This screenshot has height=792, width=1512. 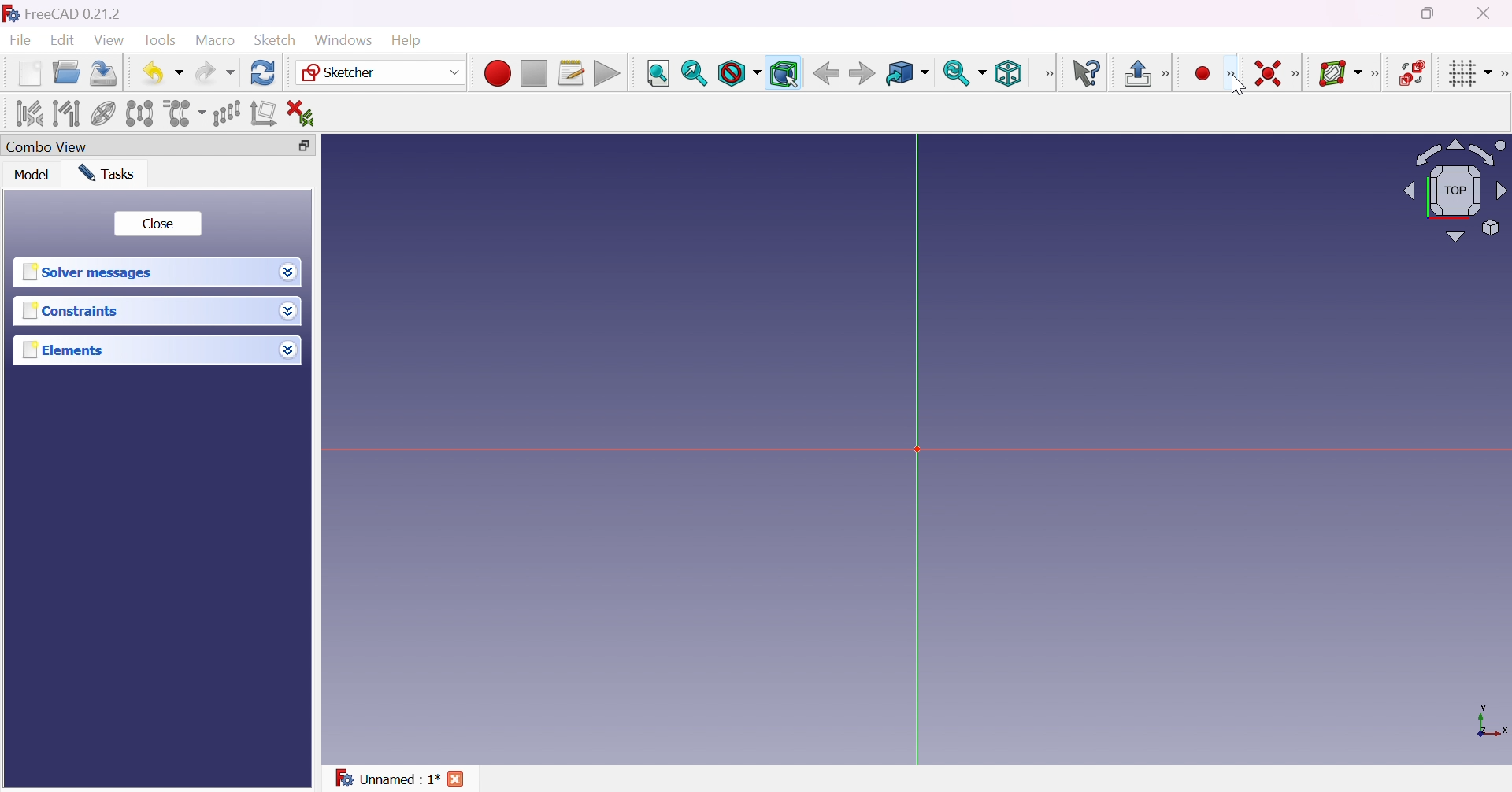 What do you see at coordinates (409, 41) in the screenshot?
I see `Help` at bounding box center [409, 41].